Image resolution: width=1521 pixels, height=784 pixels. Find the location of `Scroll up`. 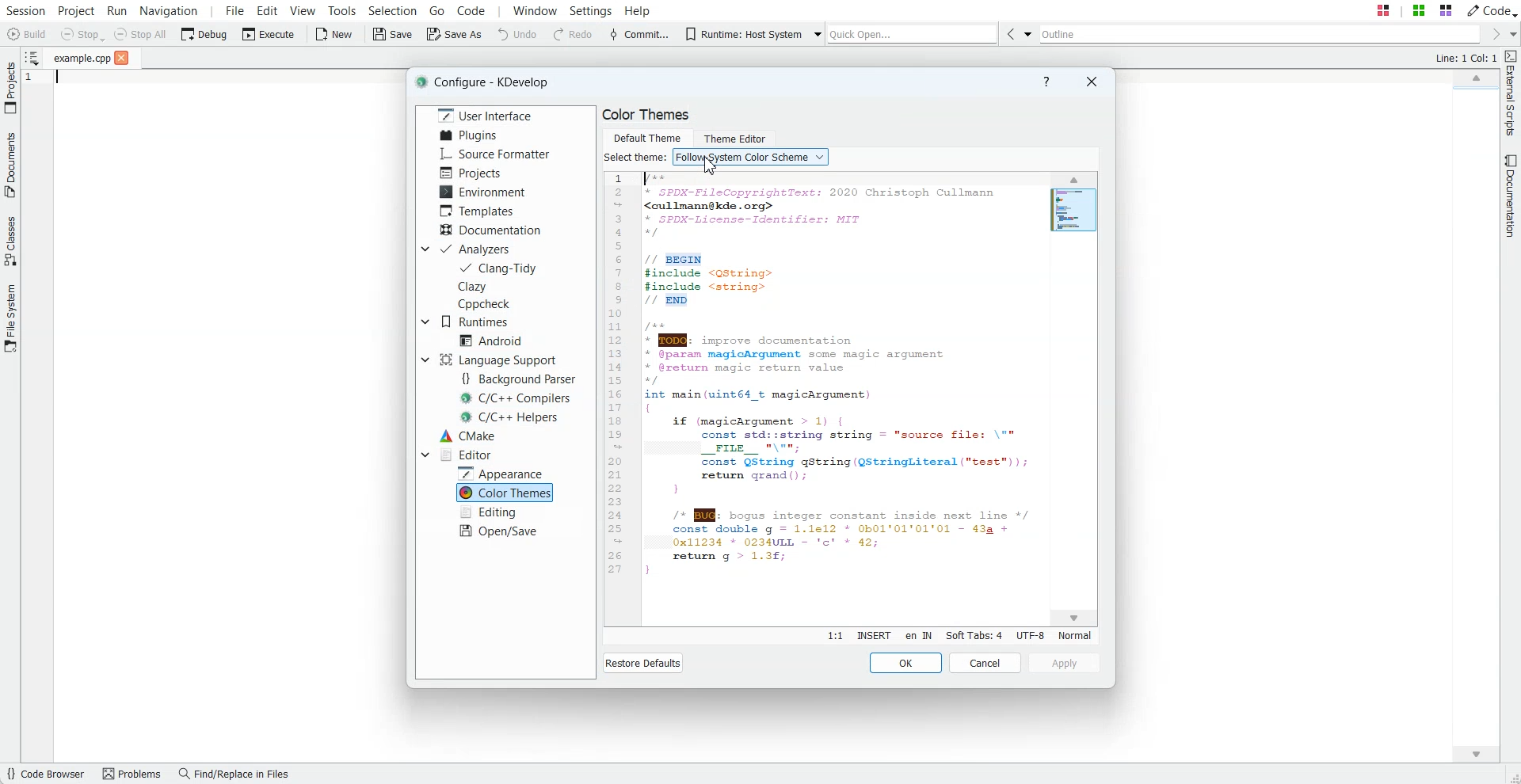

Scroll up is located at coordinates (1475, 76).